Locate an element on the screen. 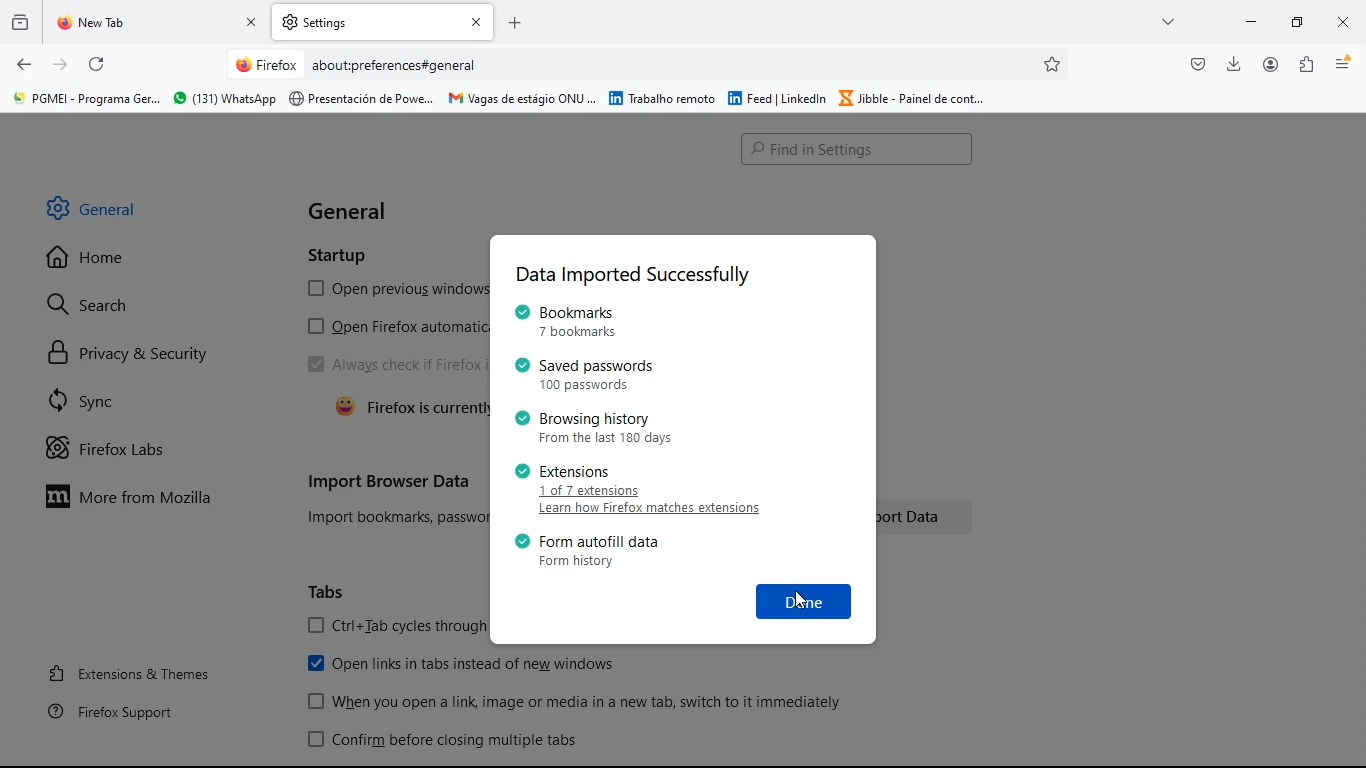 Image resolution: width=1366 pixels, height=768 pixels. ® (131) Whatsapp is located at coordinates (223, 99).